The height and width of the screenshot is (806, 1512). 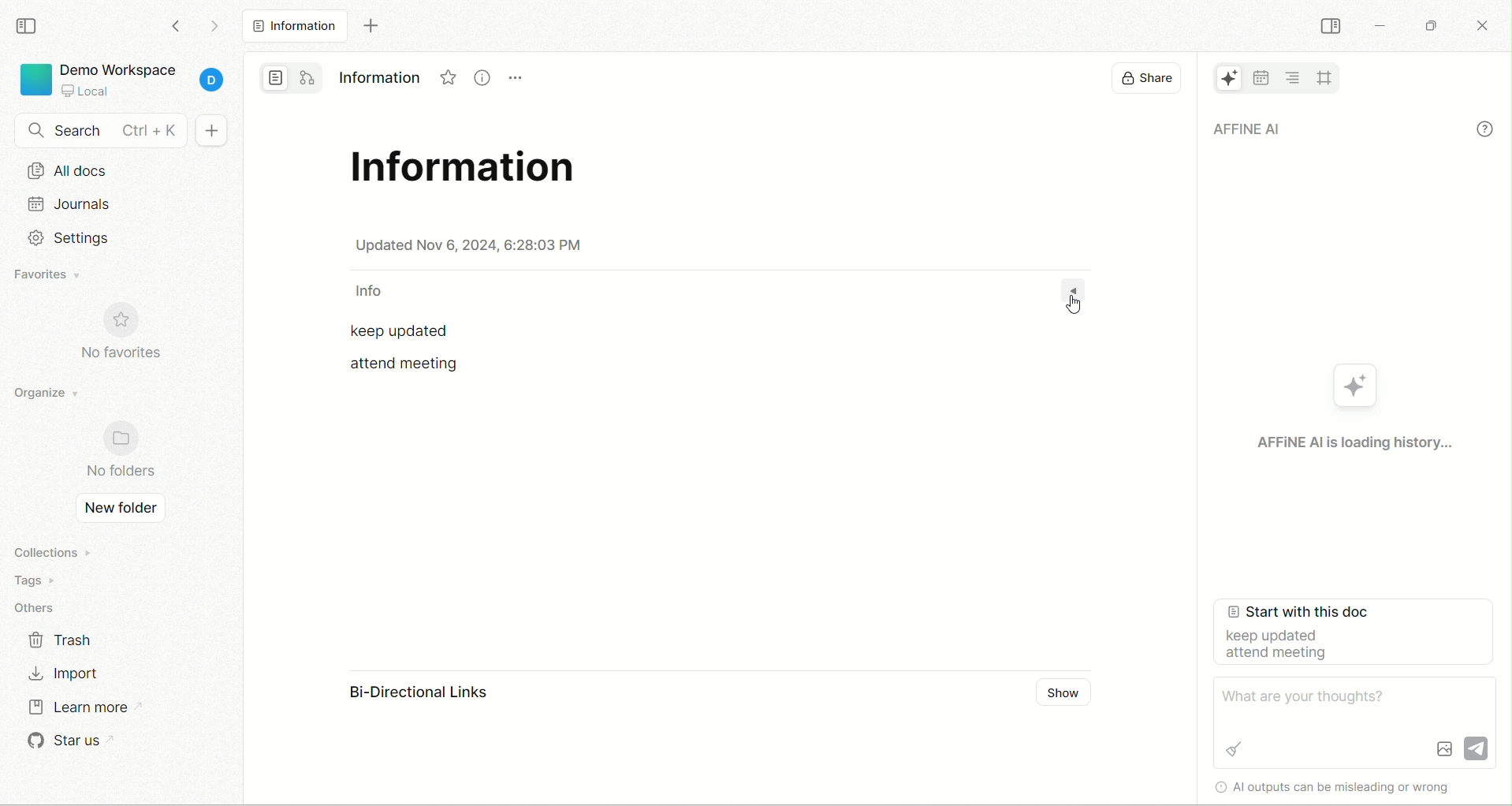 I want to click on new tab, so click(x=368, y=27).